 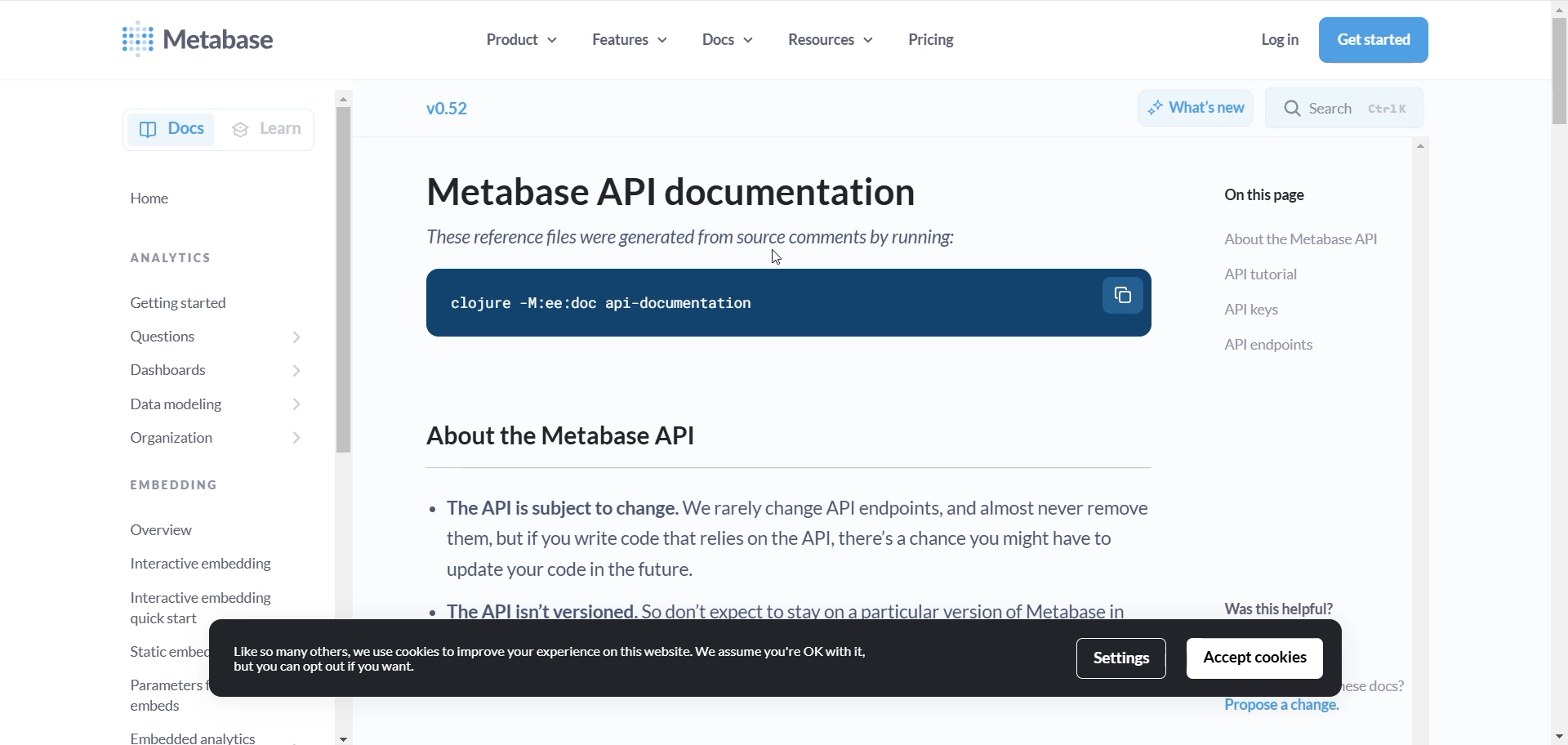 I want to click on API endpoints, so click(x=1294, y=346).